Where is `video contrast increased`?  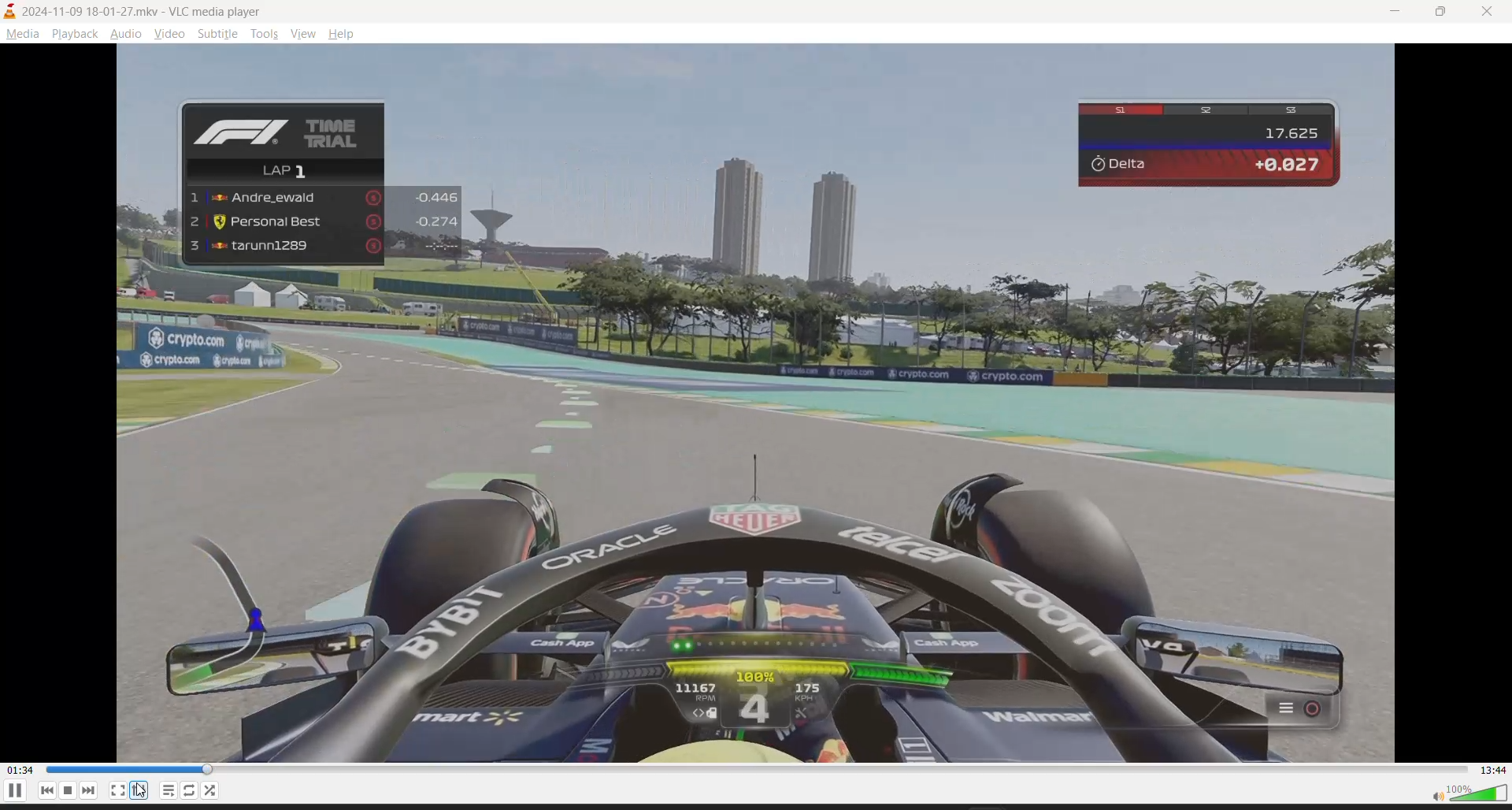 video contrast increased is located at coordinates (783, 404).